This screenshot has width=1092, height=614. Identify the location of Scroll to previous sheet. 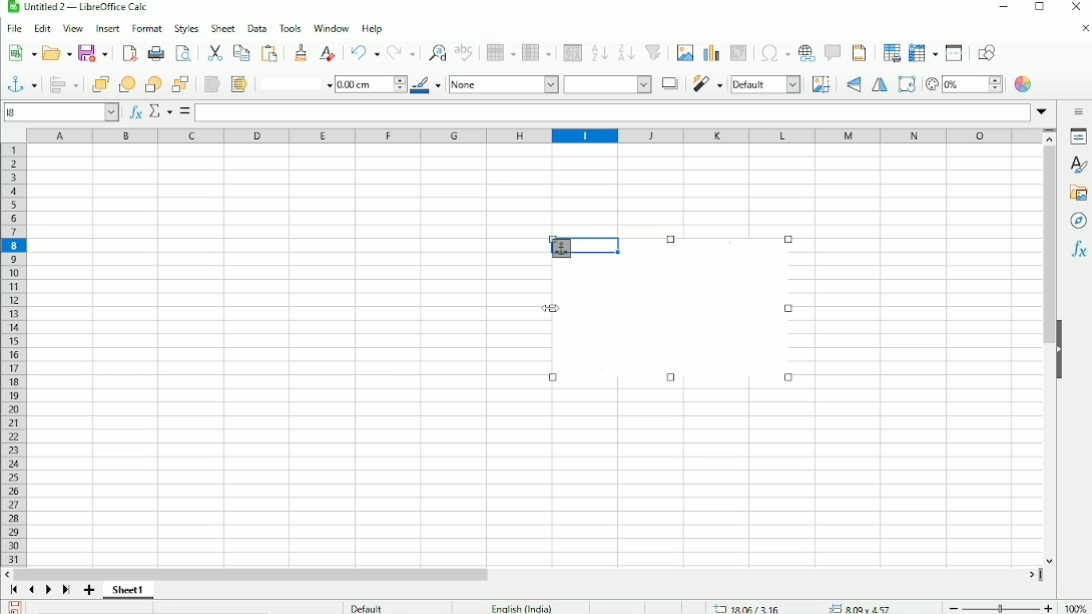
(32, 589).